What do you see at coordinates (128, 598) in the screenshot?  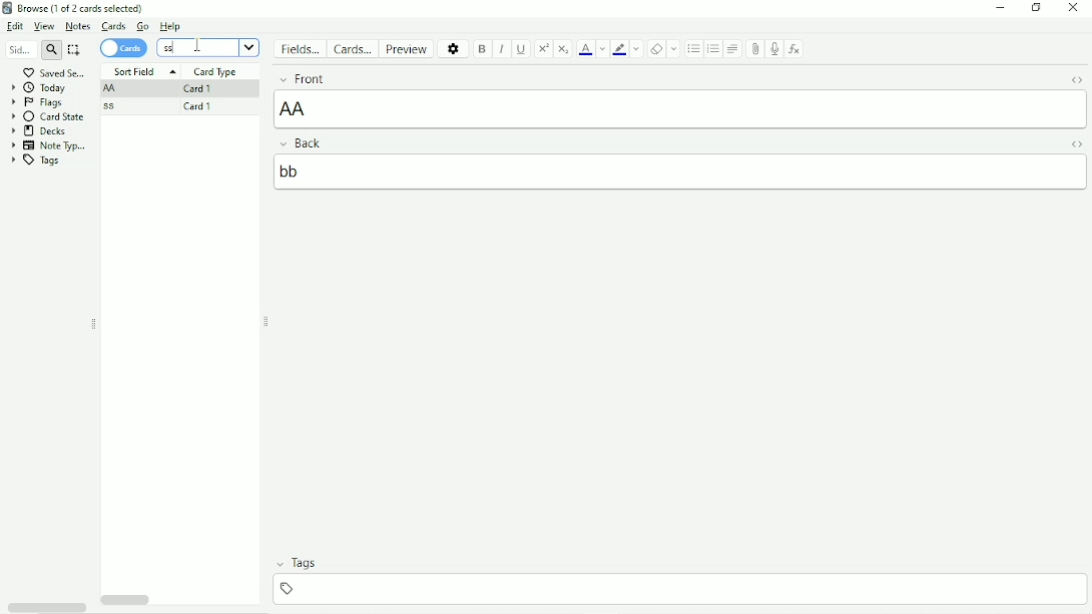 I see `Horizontal scrollbar` at bounding box center [128, 598].